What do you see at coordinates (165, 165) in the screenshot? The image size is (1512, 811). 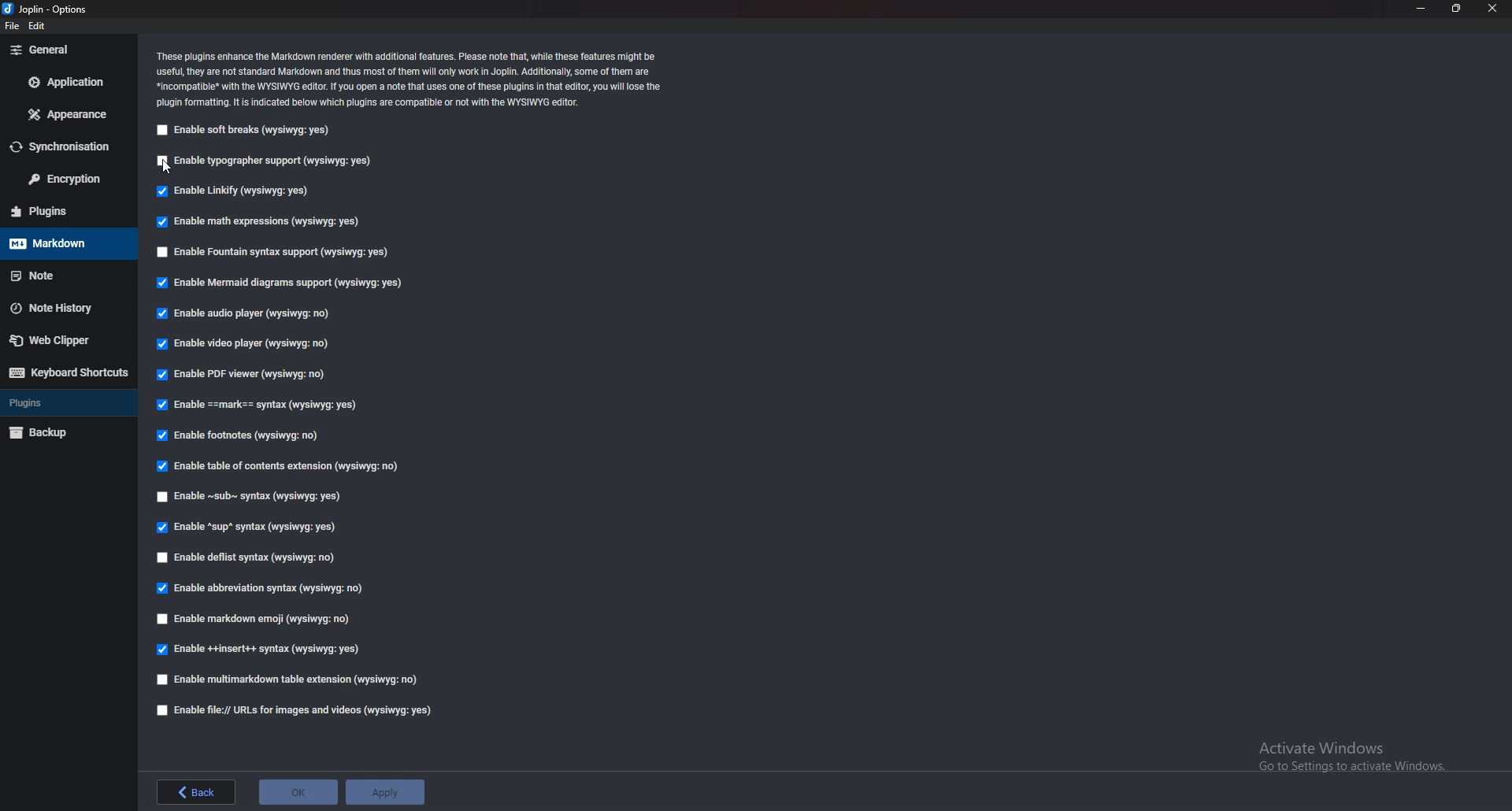 I see `cursor` at bounding box center [165, 165].